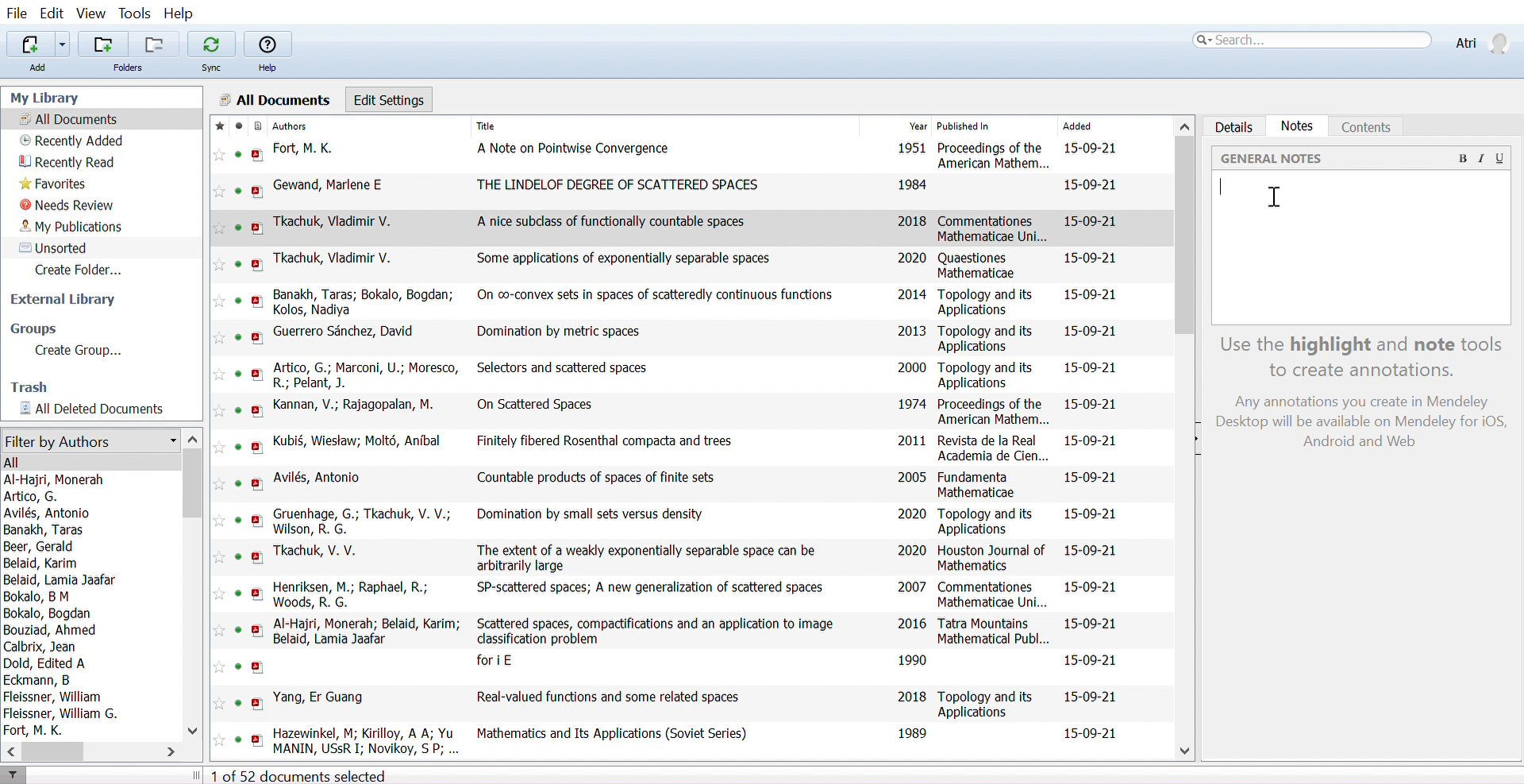 The width and height of the screenshot is (1524, 784). I want to click on Add this reference to favorites, so click(219, 667).